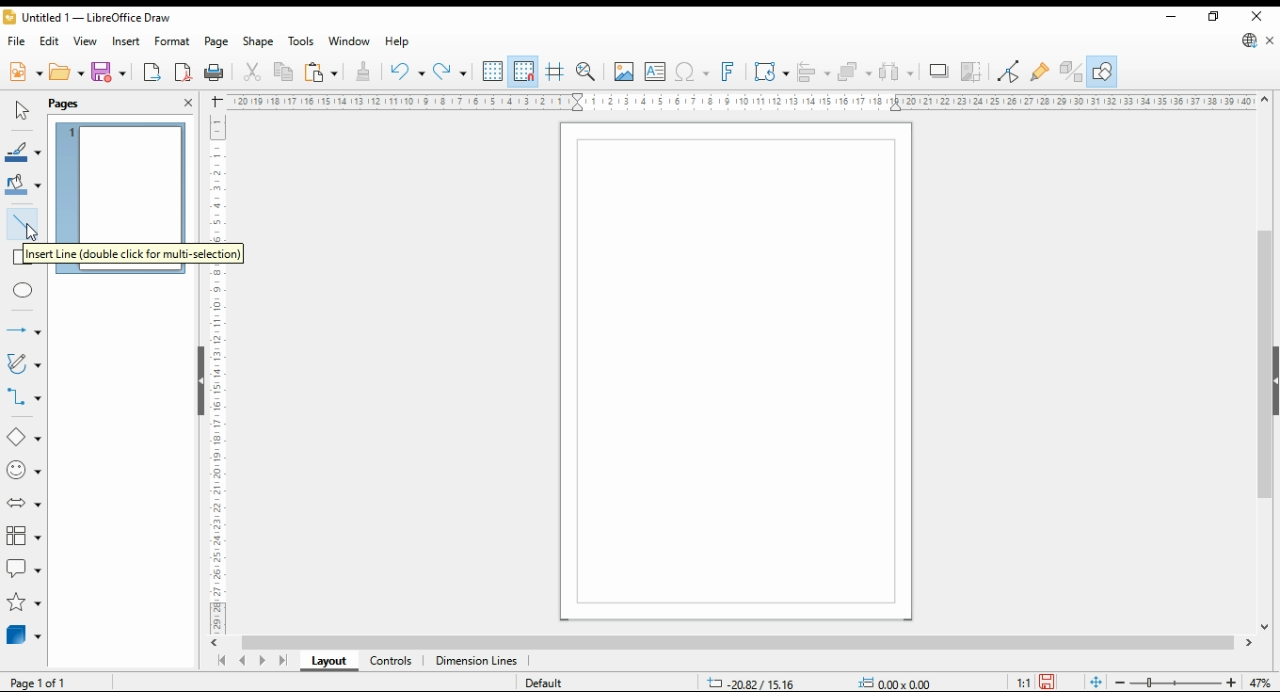 Image resolution: width=1280 pixels, height=692 pixels. I want to click on insert line, so click(20, 217).